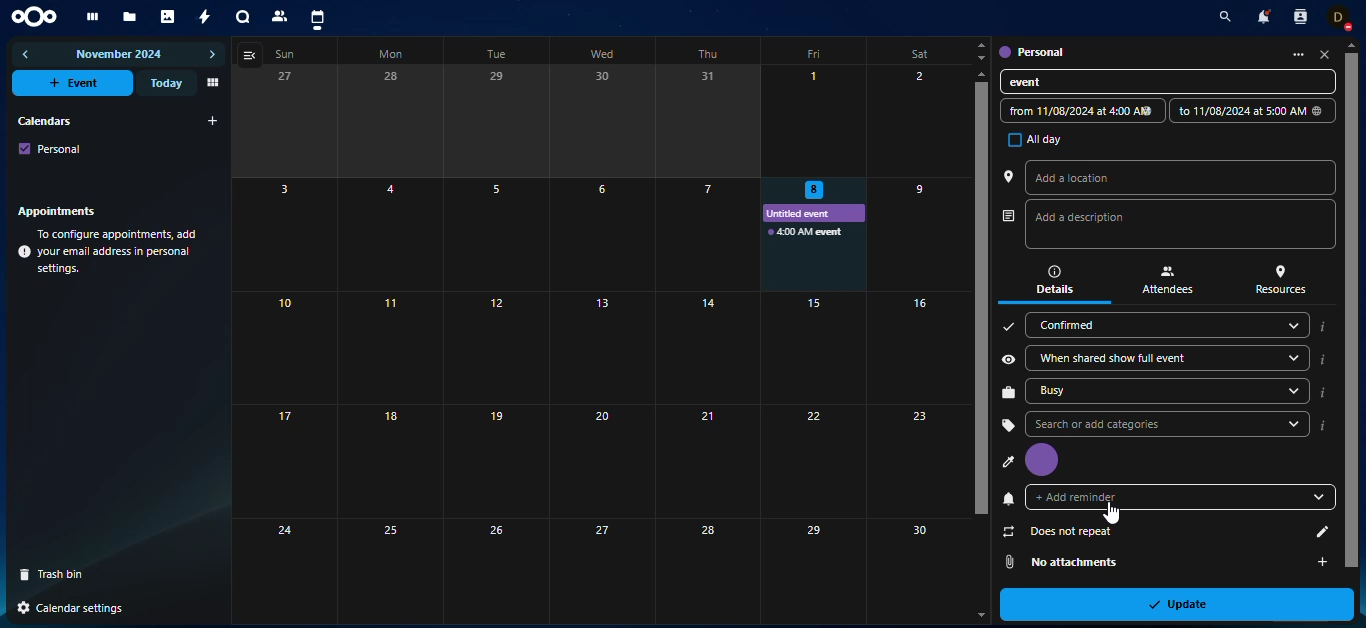 The height and width of the screenshot is (628, 1366). I want to click on 13, so click(601, 347).